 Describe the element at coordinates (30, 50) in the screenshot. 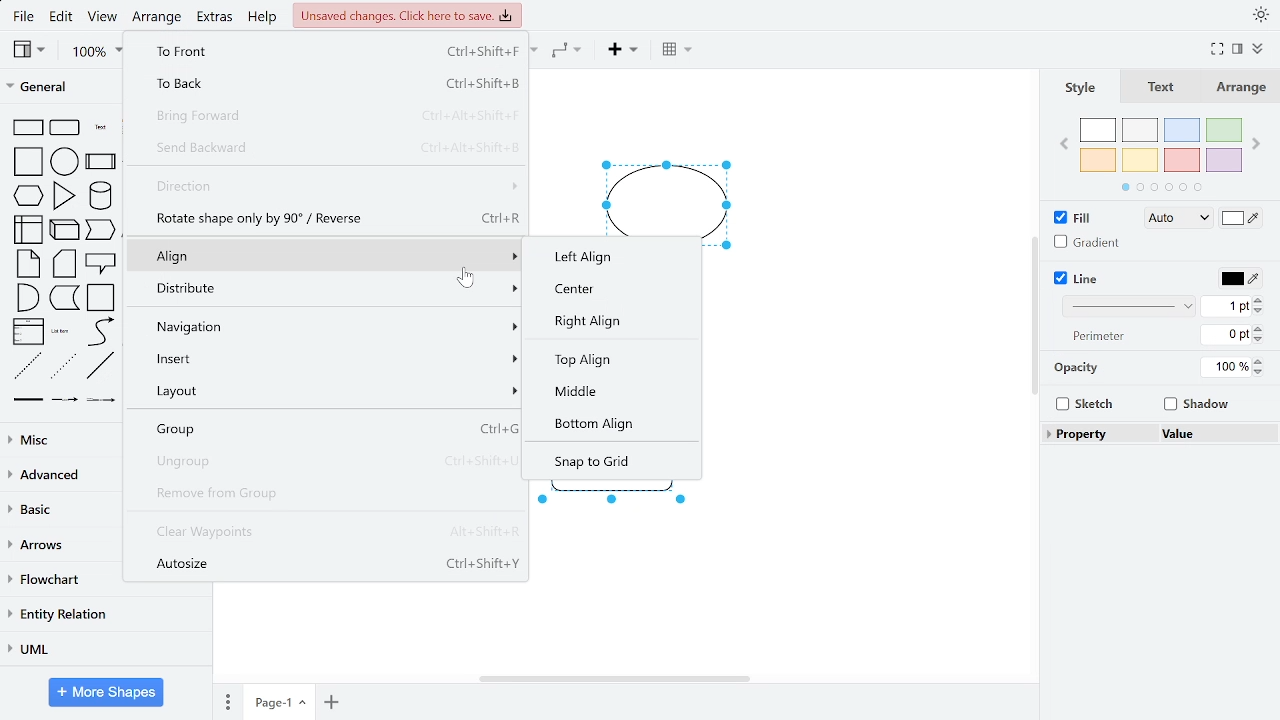

I see `view` at that location.